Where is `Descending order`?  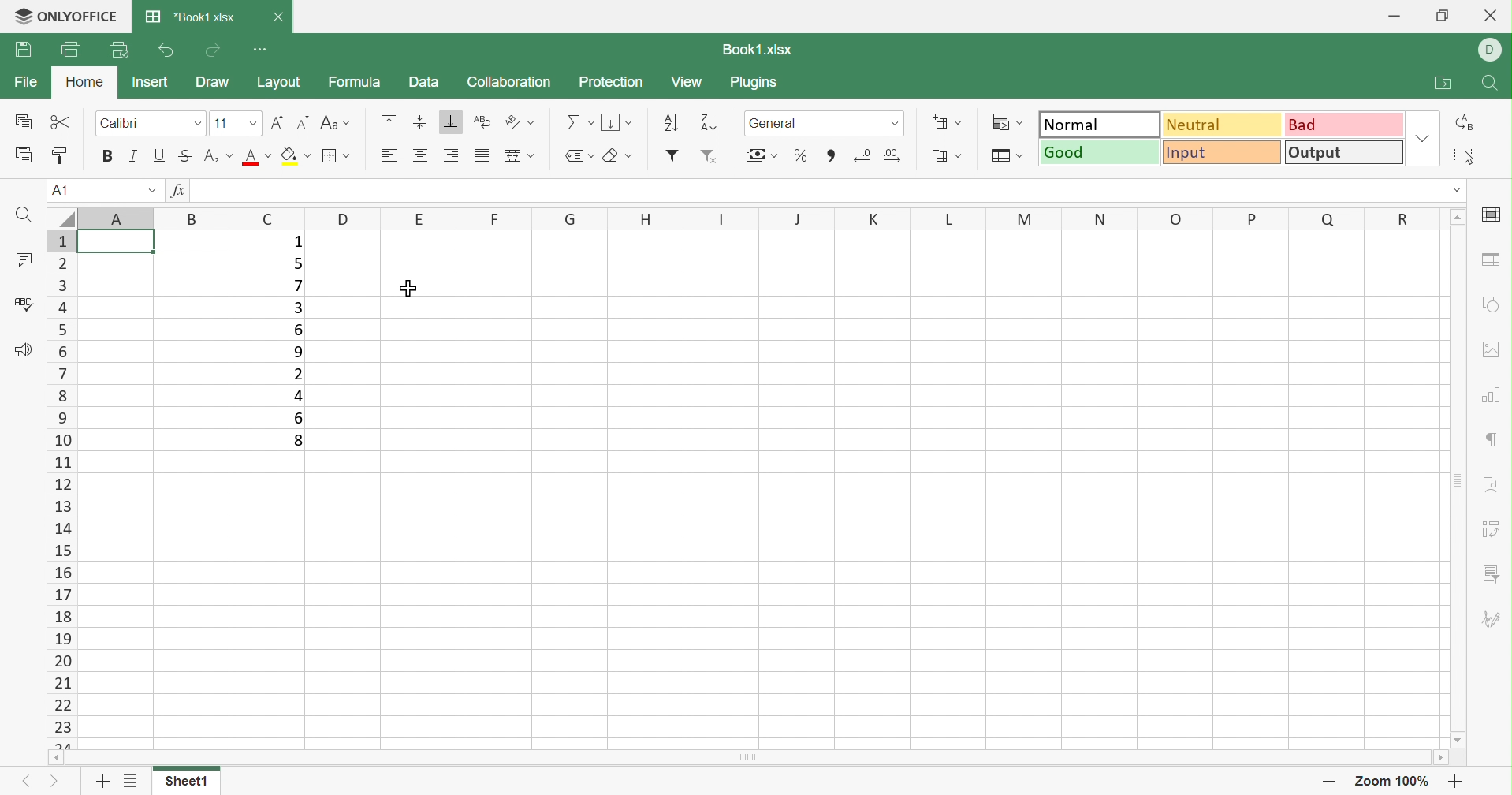
Descending order is located at coordinates (705, 123).